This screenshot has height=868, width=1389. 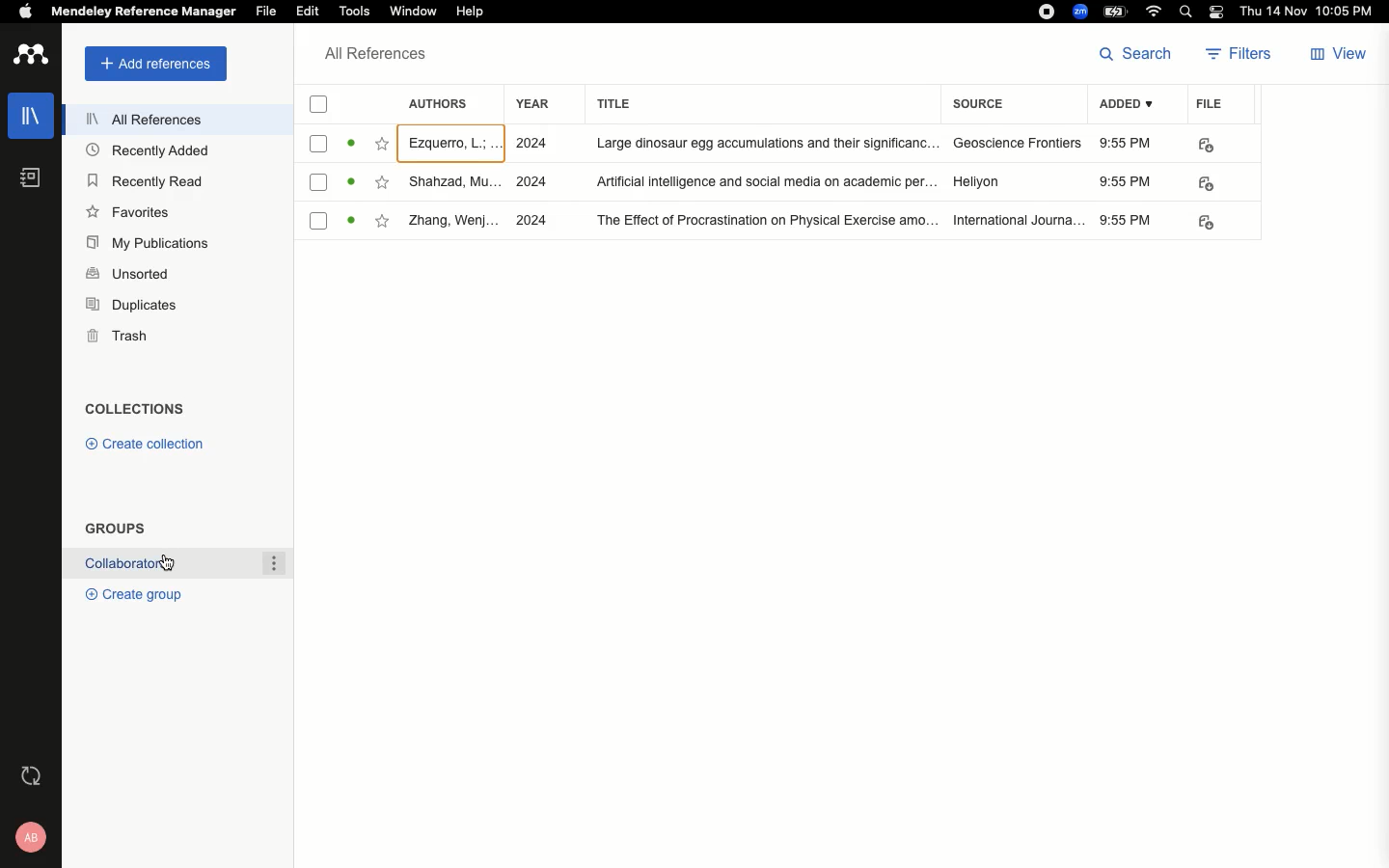 I want to click on Favorites, so click(x=130, y=214).